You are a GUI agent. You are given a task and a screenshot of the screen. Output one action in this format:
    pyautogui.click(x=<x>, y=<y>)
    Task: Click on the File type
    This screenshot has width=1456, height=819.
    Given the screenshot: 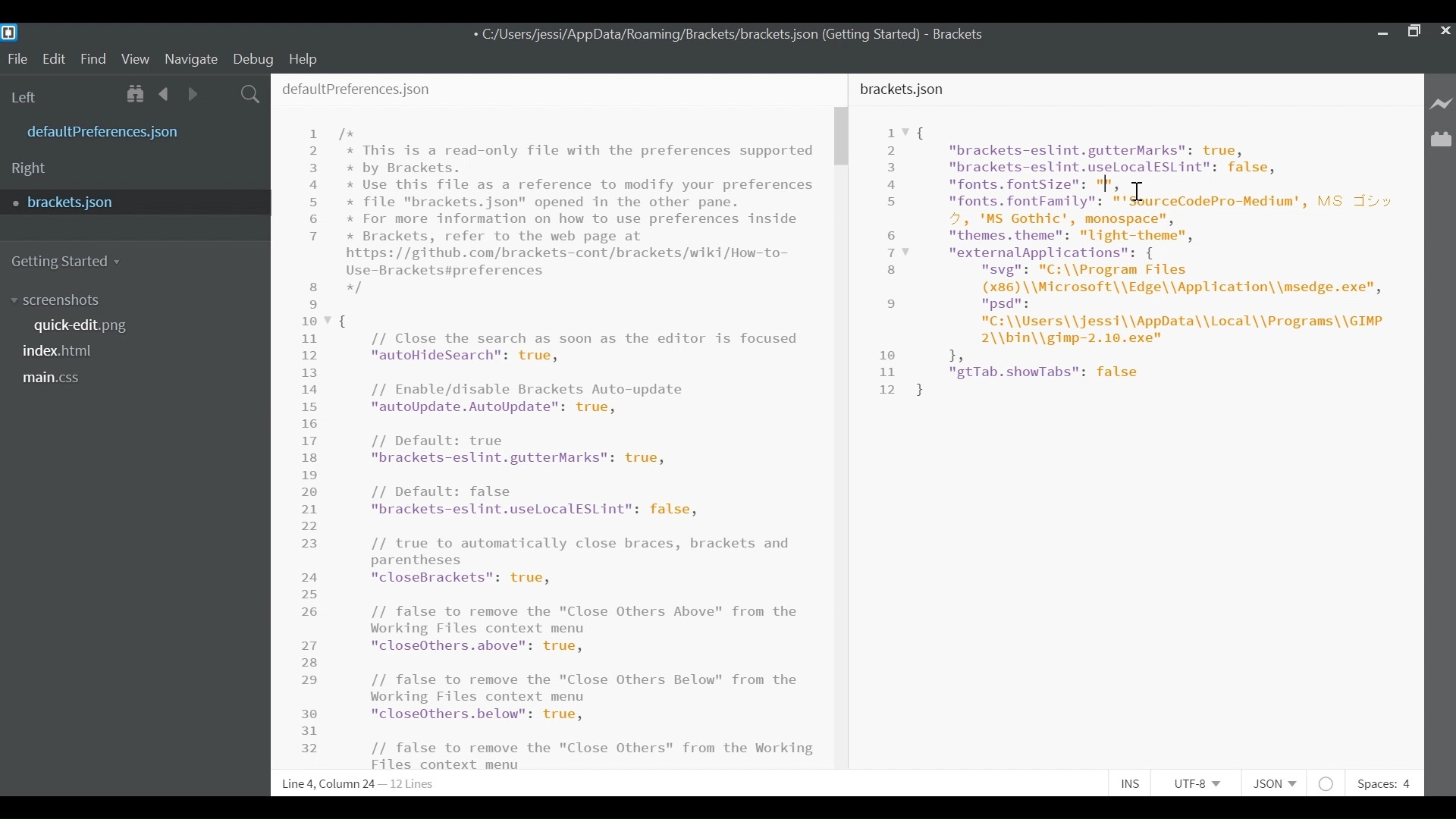 What is the action you would take?
    pyautogui.click(x=1272, y=784)
    